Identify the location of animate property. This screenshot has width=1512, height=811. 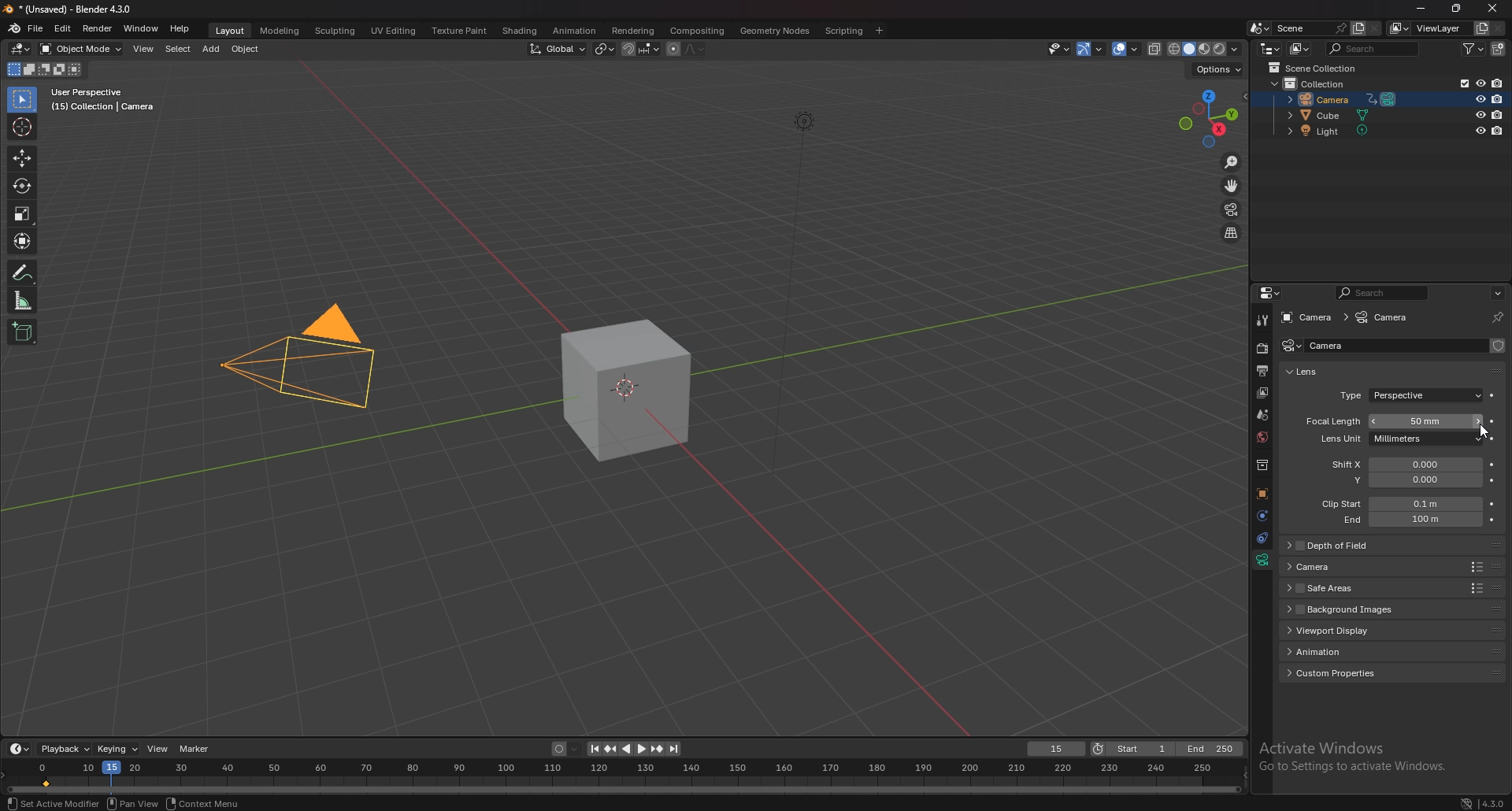
(1492, 422).